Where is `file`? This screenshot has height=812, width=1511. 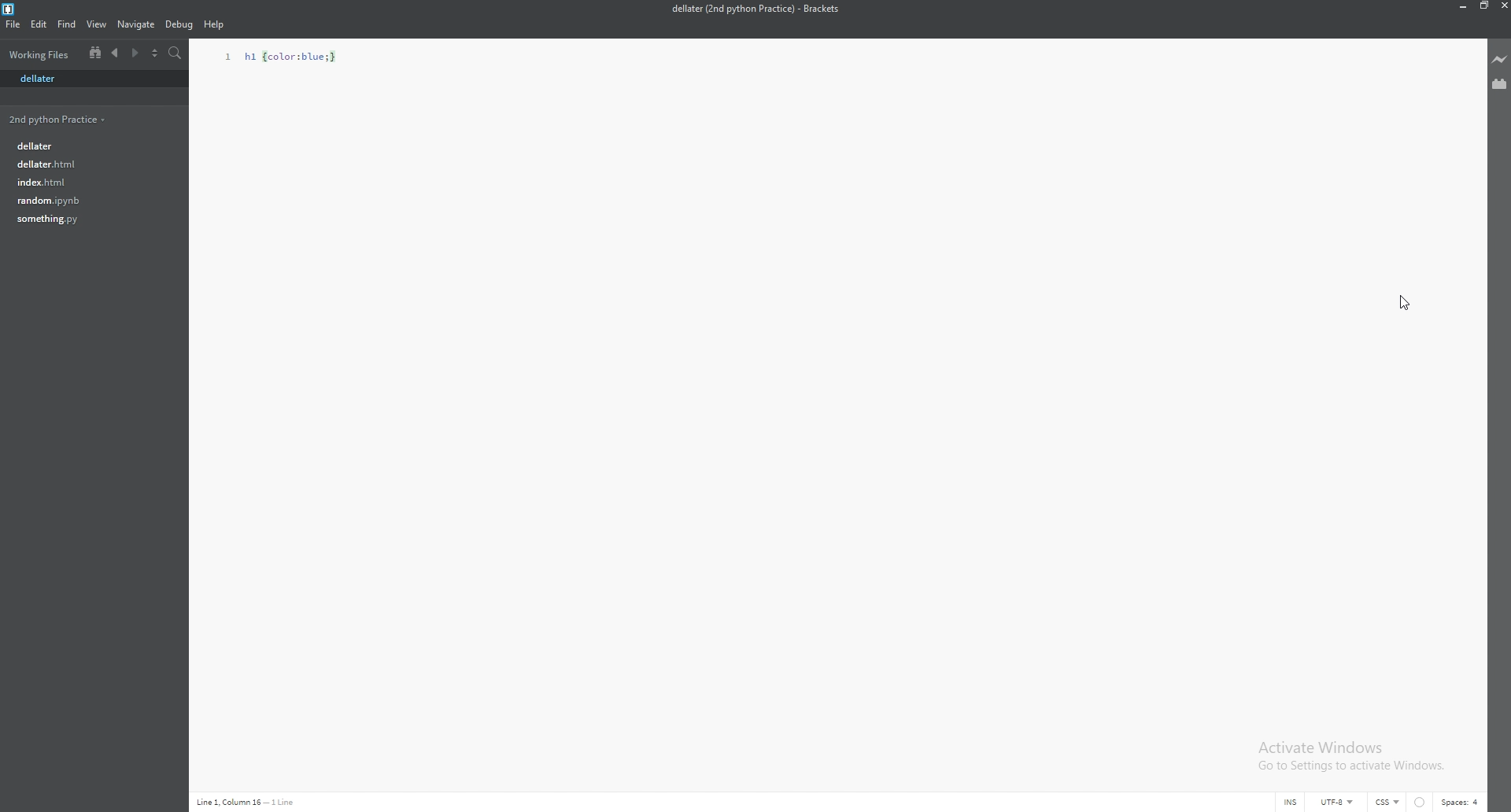 file is located at coordinates (86, 200).